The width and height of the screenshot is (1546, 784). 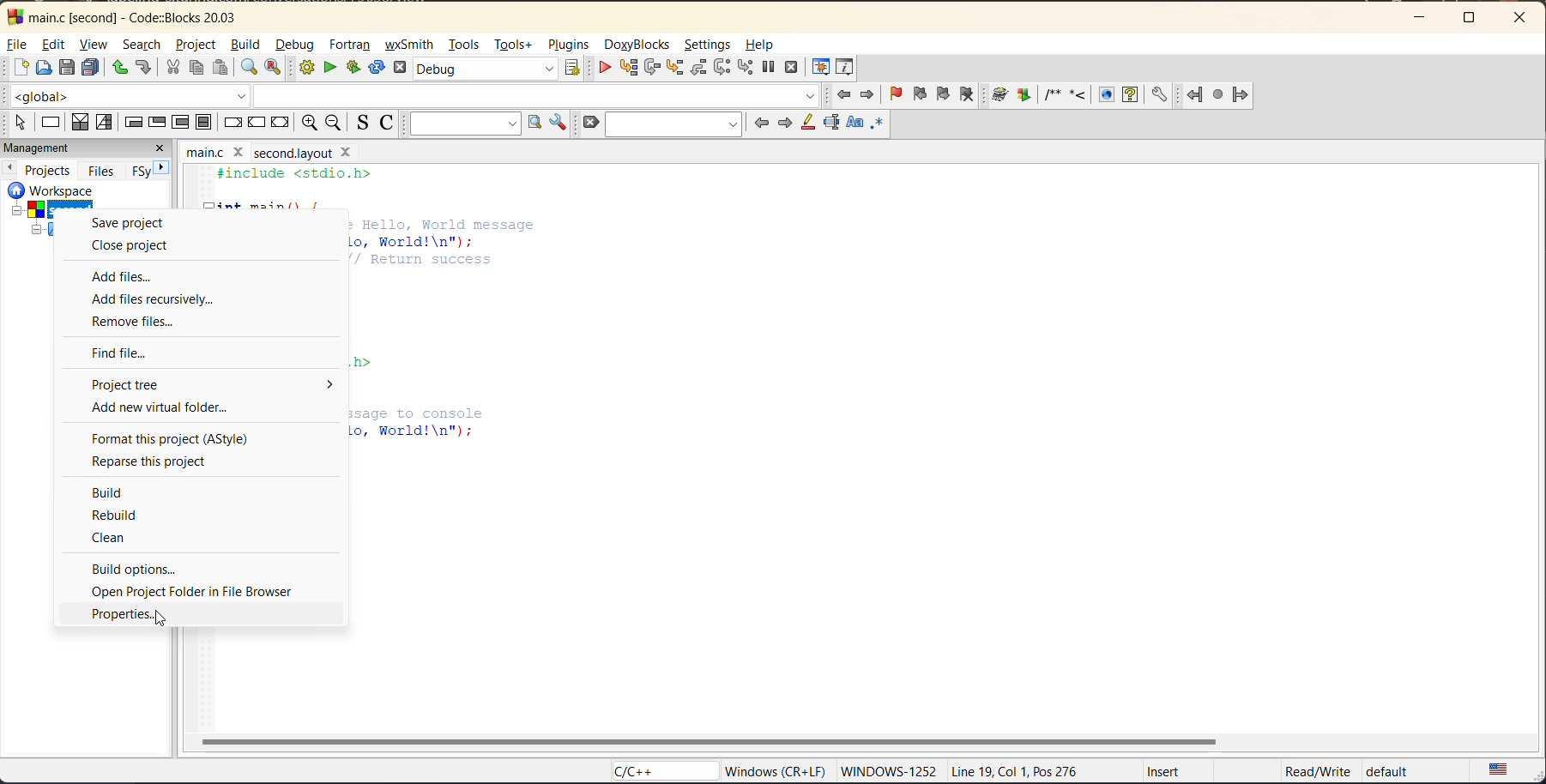 I want to click on search, so click(x=139, y=45).